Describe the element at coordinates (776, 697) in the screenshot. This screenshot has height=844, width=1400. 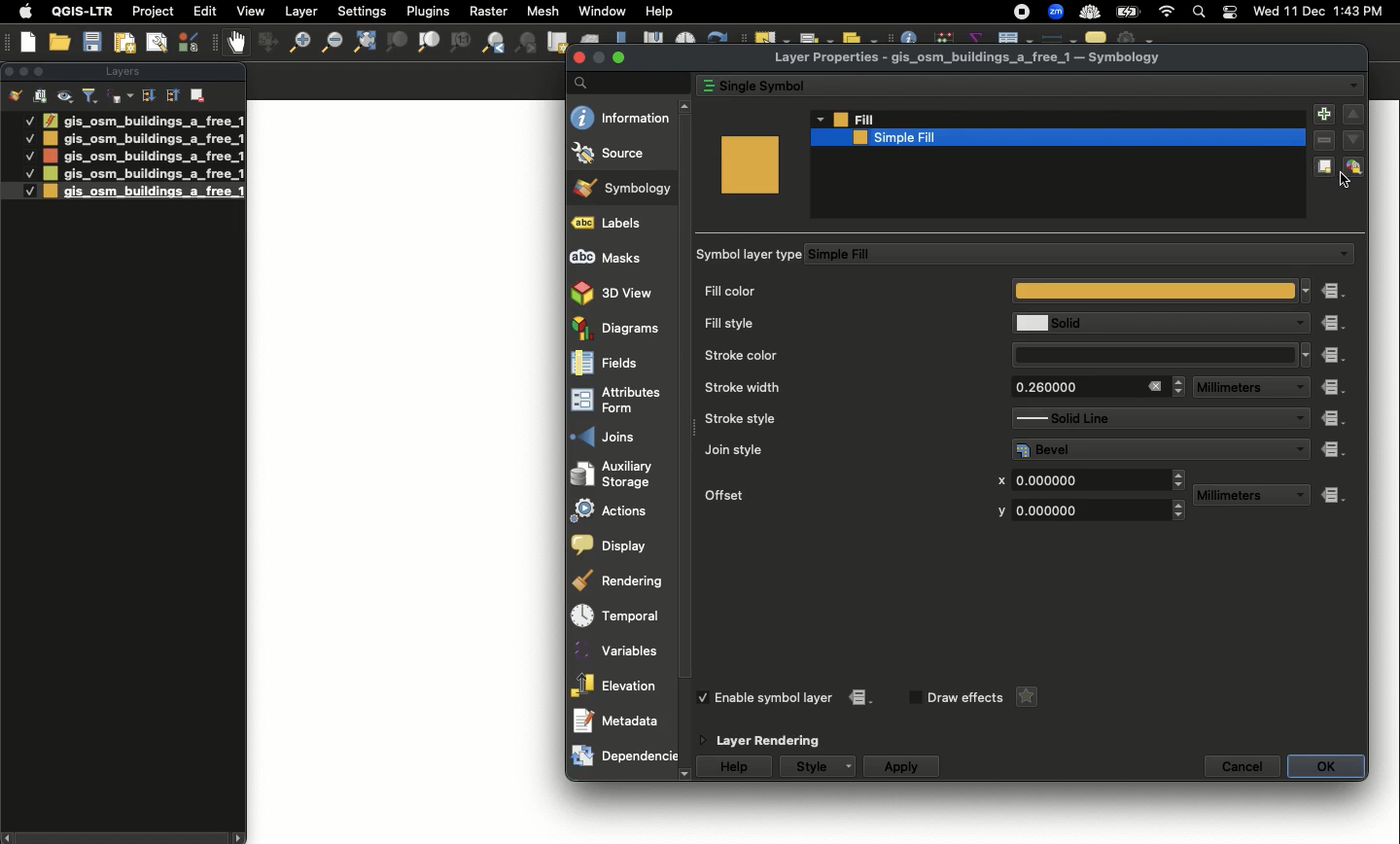
I see `Enable symbol layer` at that location.